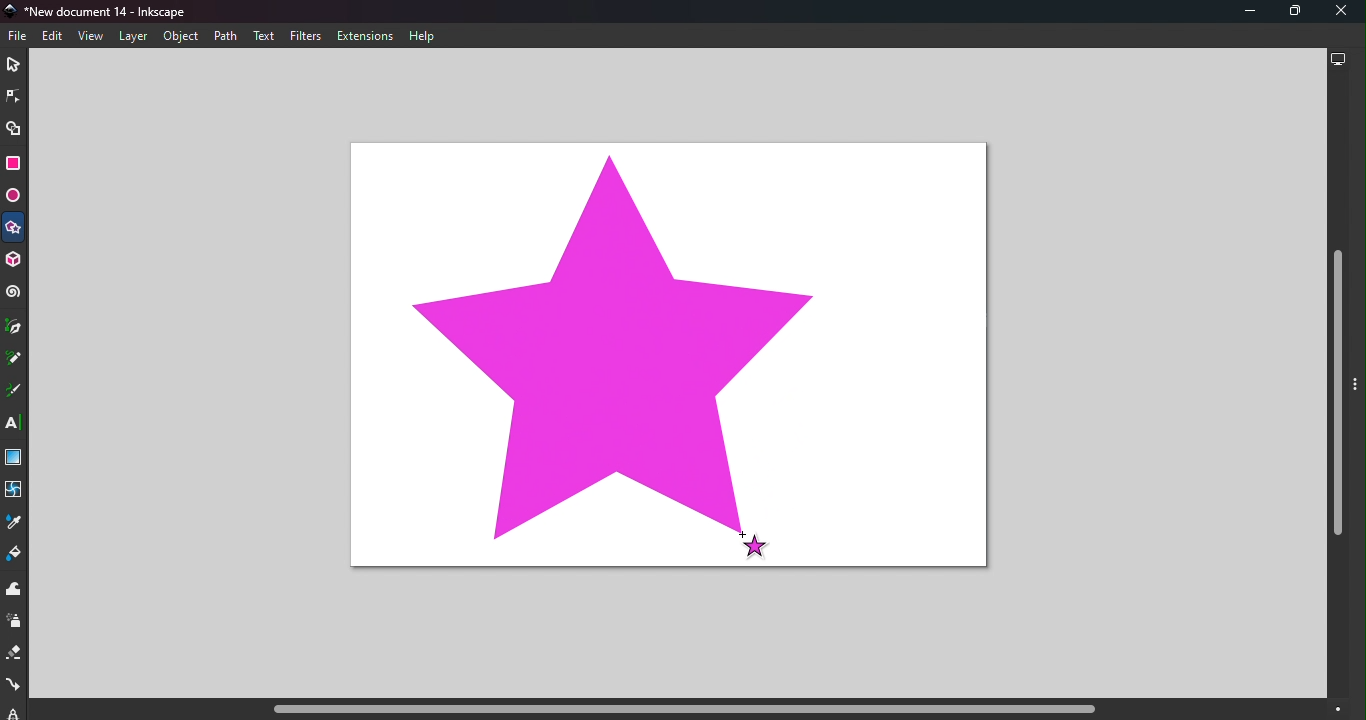 This screenshot has height=720, width=1366. What do you see at coordinates (1338, 388) in the screenshot?
I see `Vertical scroll bar` at bounding box center [1338, 388].